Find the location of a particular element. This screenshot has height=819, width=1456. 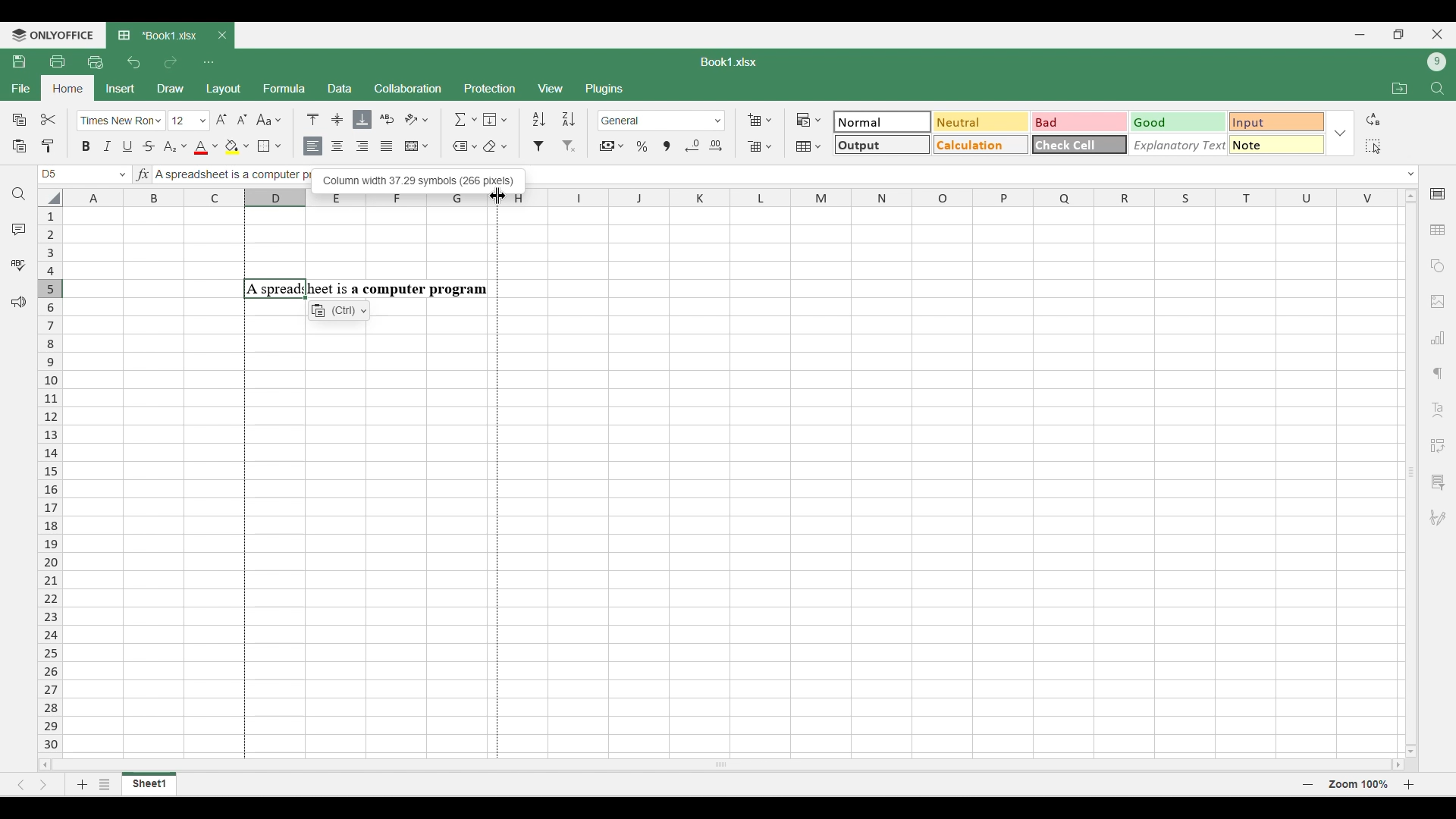

Sort options is located at coordinates (554, 119).